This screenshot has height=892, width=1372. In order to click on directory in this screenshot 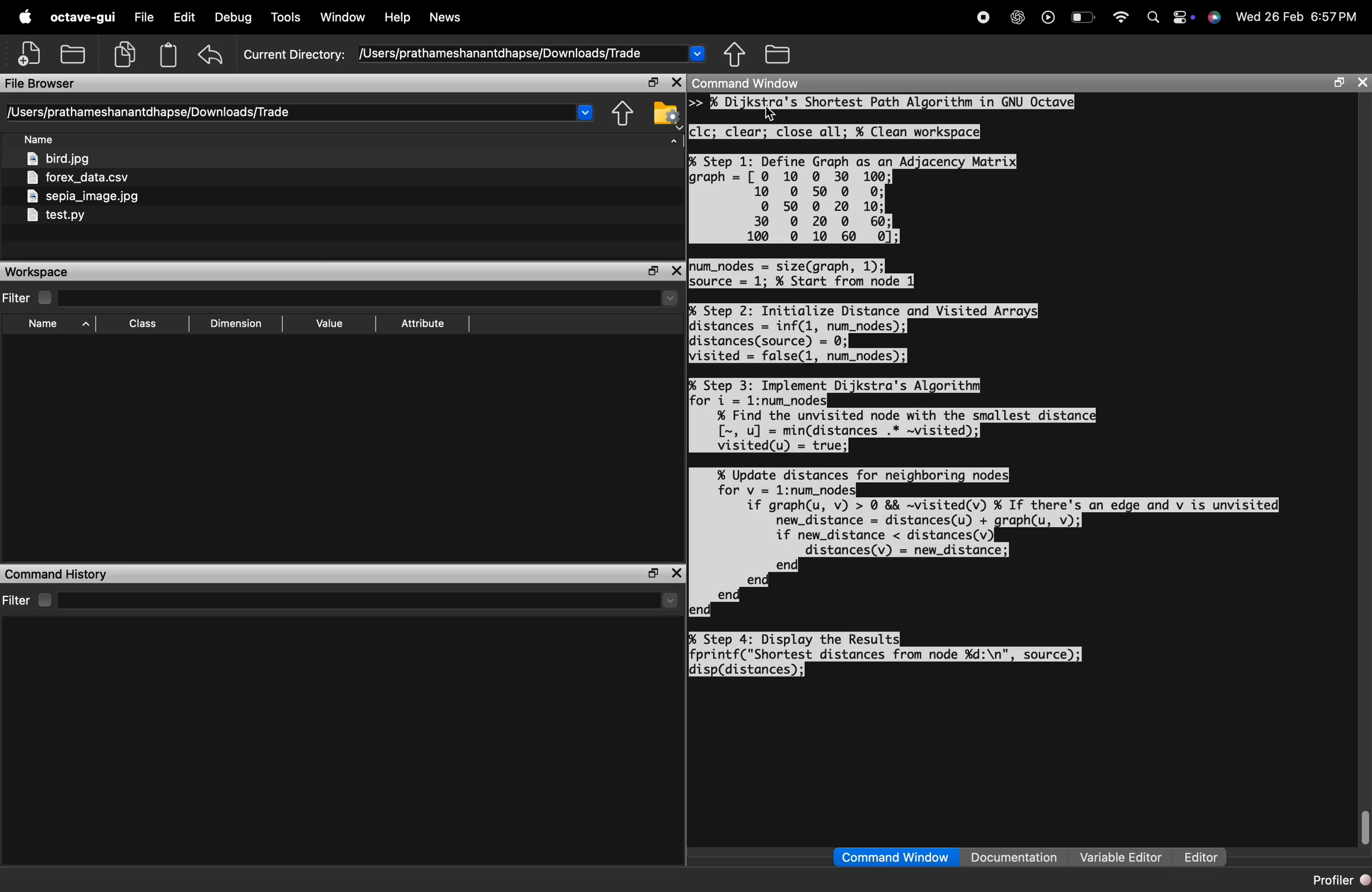, I will do `click(301, 113)`.